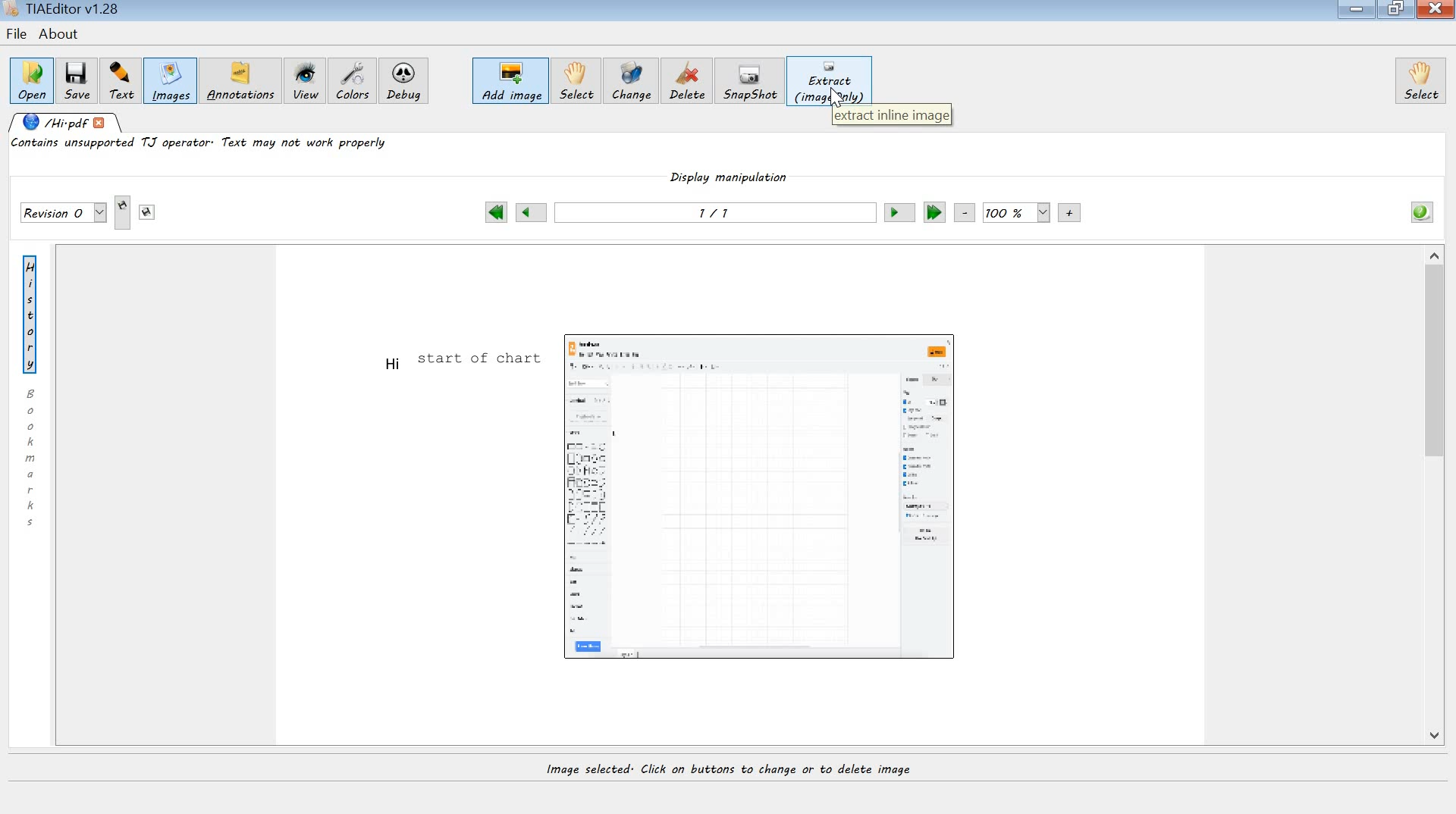  What do you see at coordinates (124, 214) in the screenshot?
I see `creates new revision` at bounding box center [124, 214].